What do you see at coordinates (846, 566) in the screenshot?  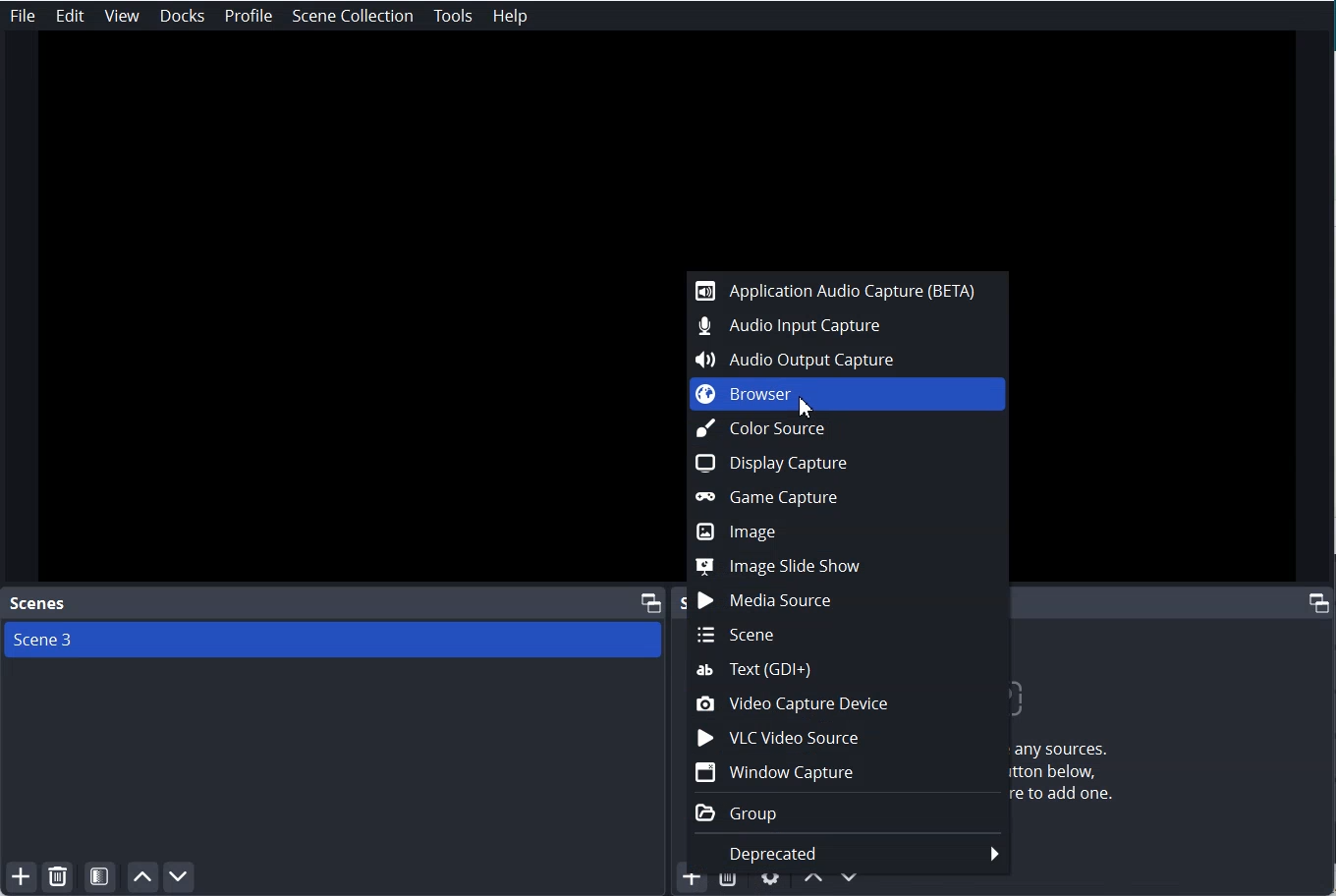 I see `Image Slide Show` at bounding box center [846, 566].